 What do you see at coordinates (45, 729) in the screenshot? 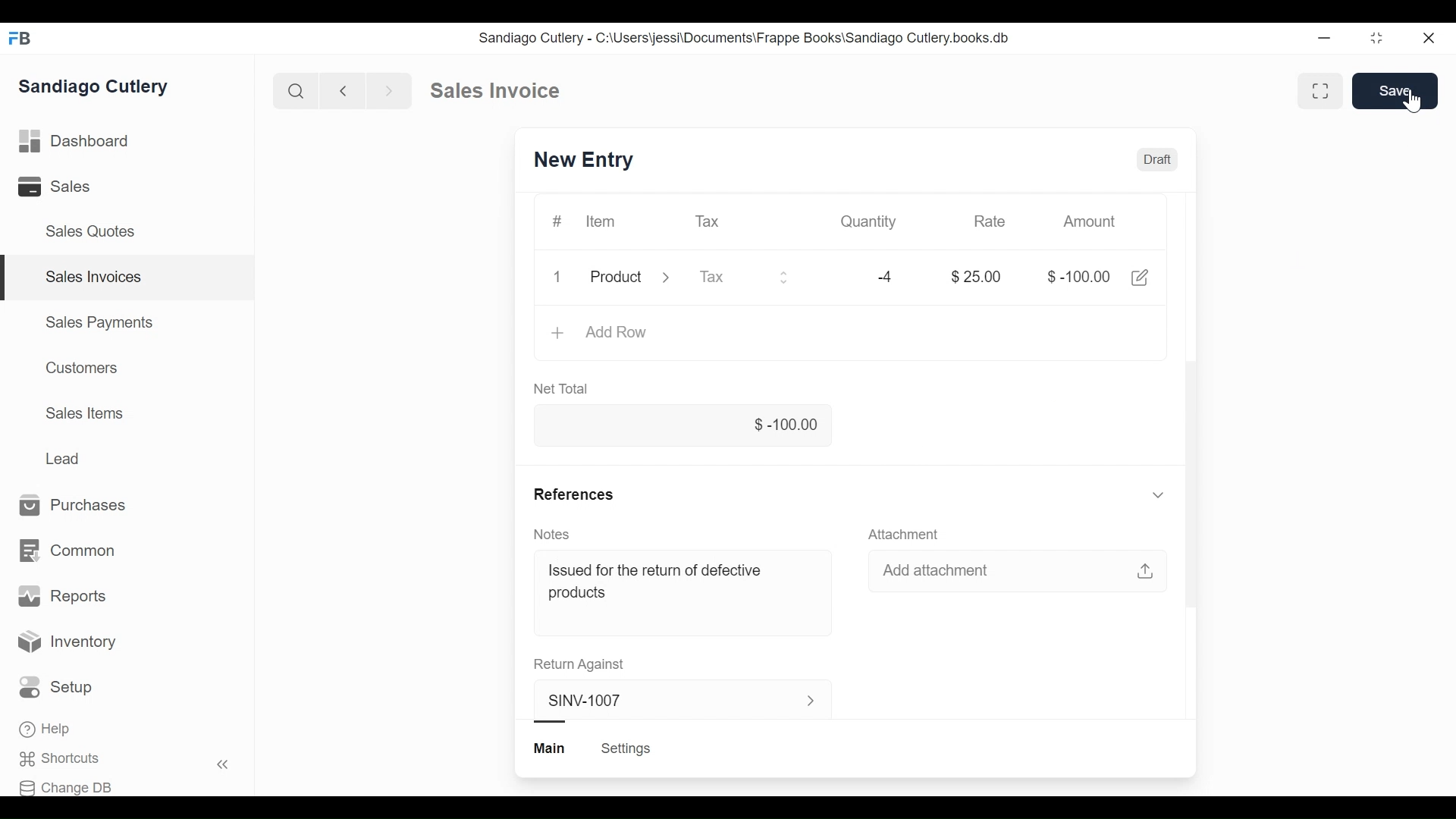
I see ` Help` at bounding box center [45, 729].